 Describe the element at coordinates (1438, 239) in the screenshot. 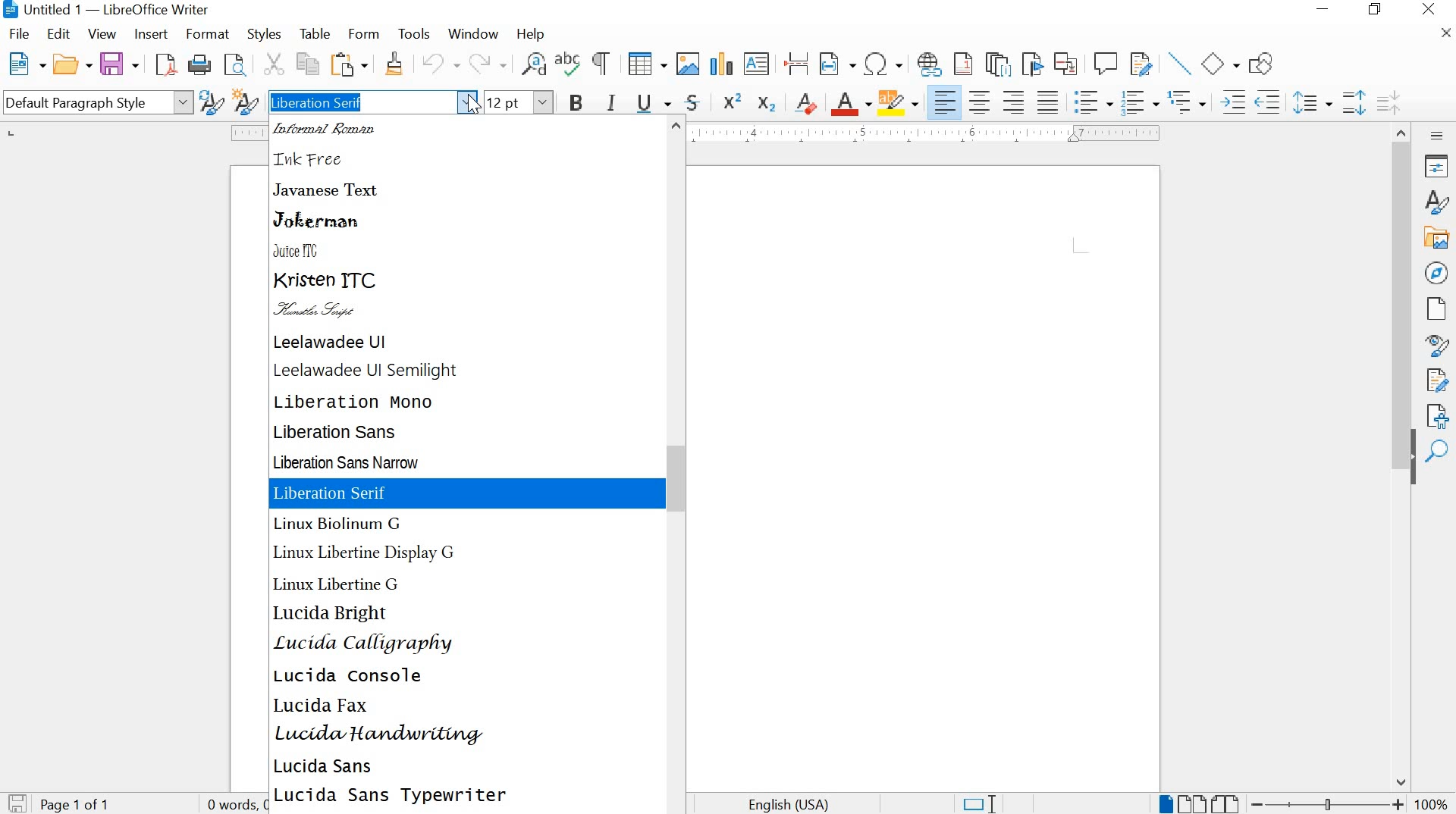

I see `GALLERY` at that location.